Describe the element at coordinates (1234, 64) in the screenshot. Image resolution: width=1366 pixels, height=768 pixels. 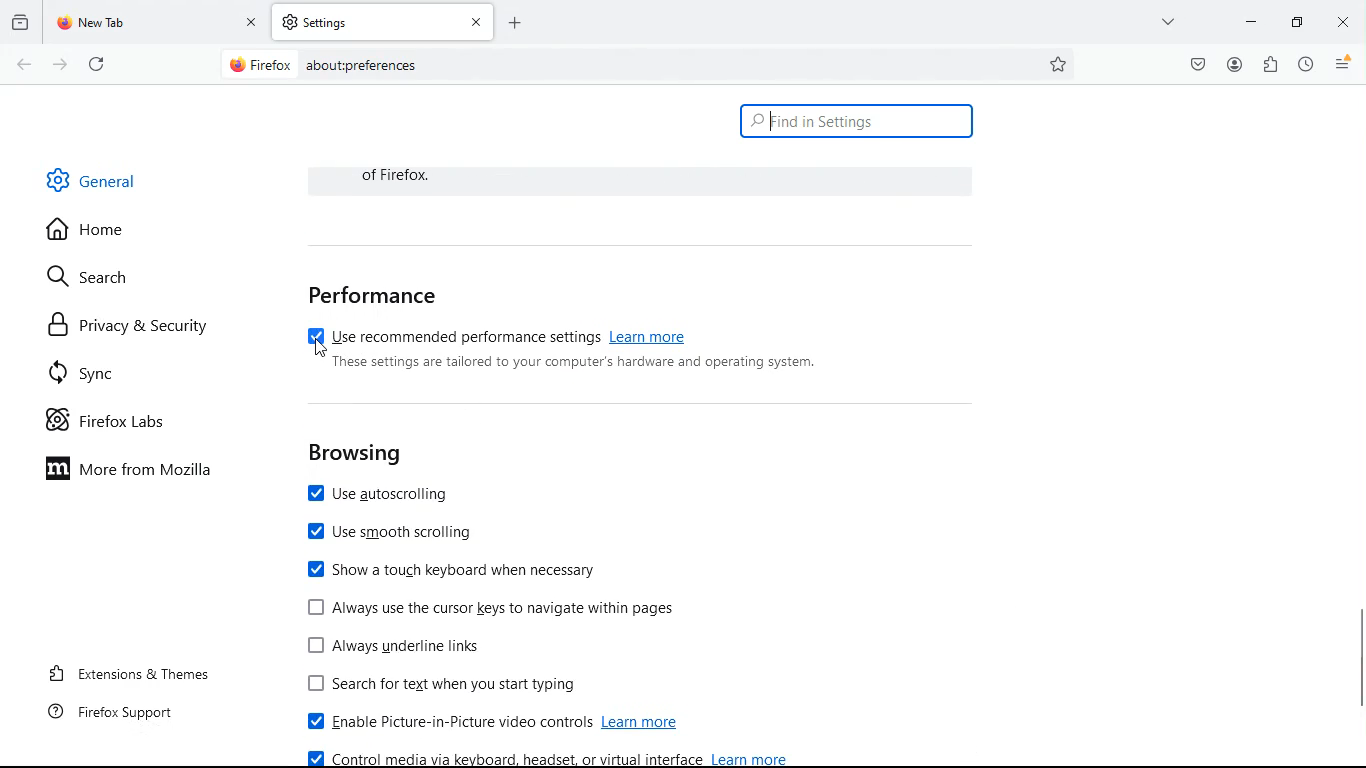
I see `profile` at that location.